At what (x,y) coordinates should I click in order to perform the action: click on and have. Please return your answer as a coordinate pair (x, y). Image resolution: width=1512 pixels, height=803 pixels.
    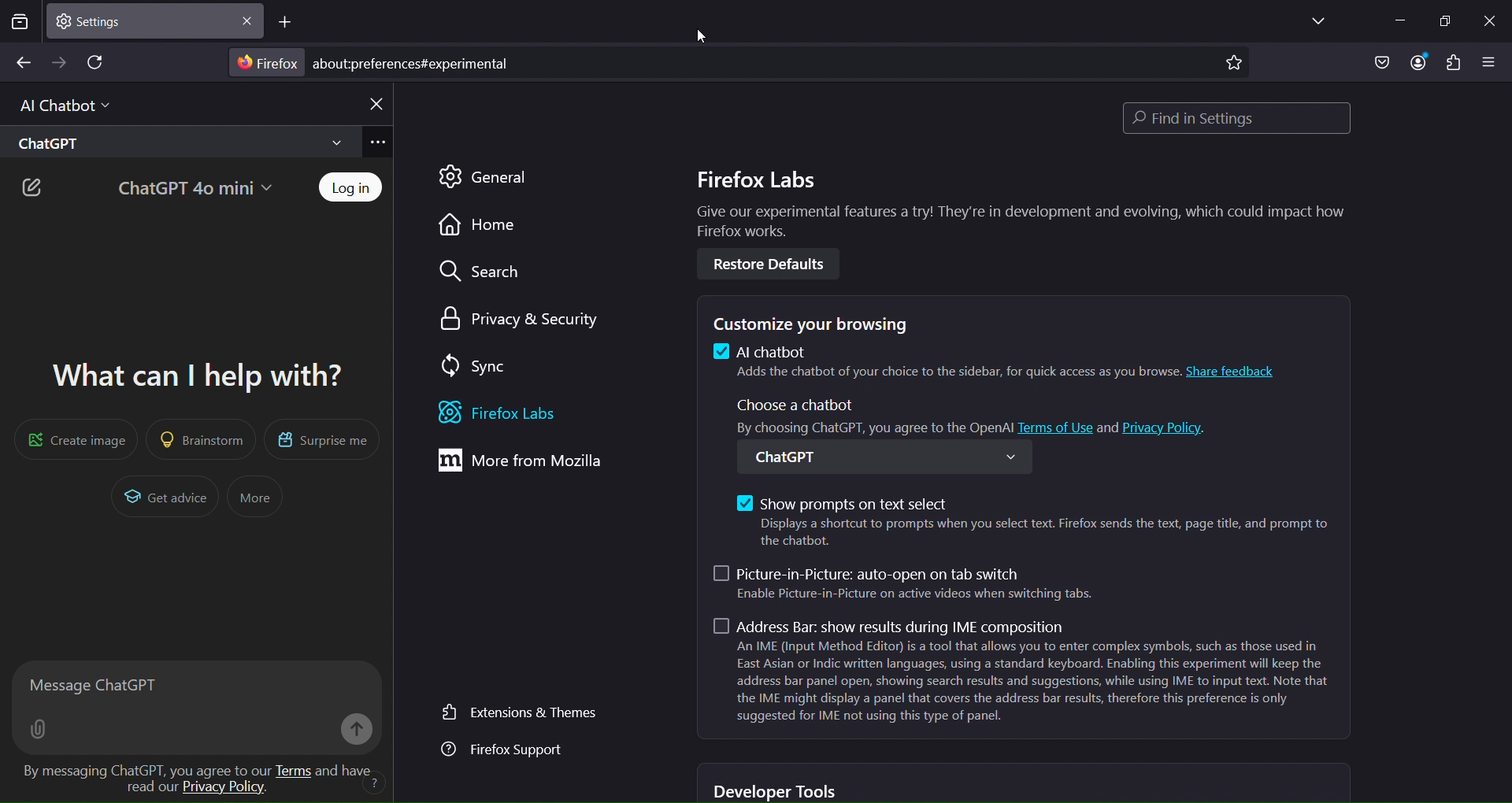
    Looking at the image, I should click on (348, 769).